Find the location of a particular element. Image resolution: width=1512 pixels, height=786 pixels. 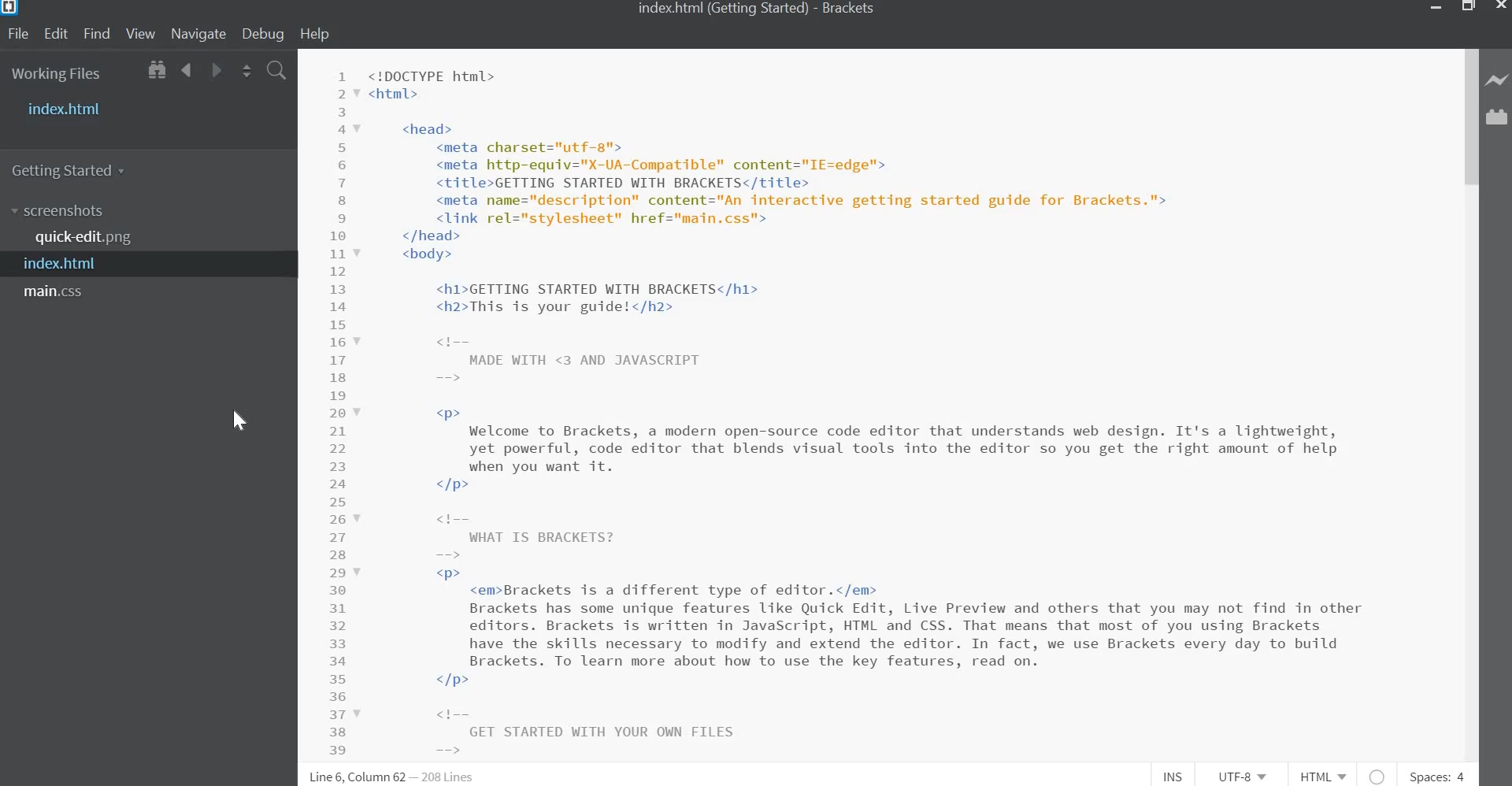

Working Files is located at coordinates (57, 76).